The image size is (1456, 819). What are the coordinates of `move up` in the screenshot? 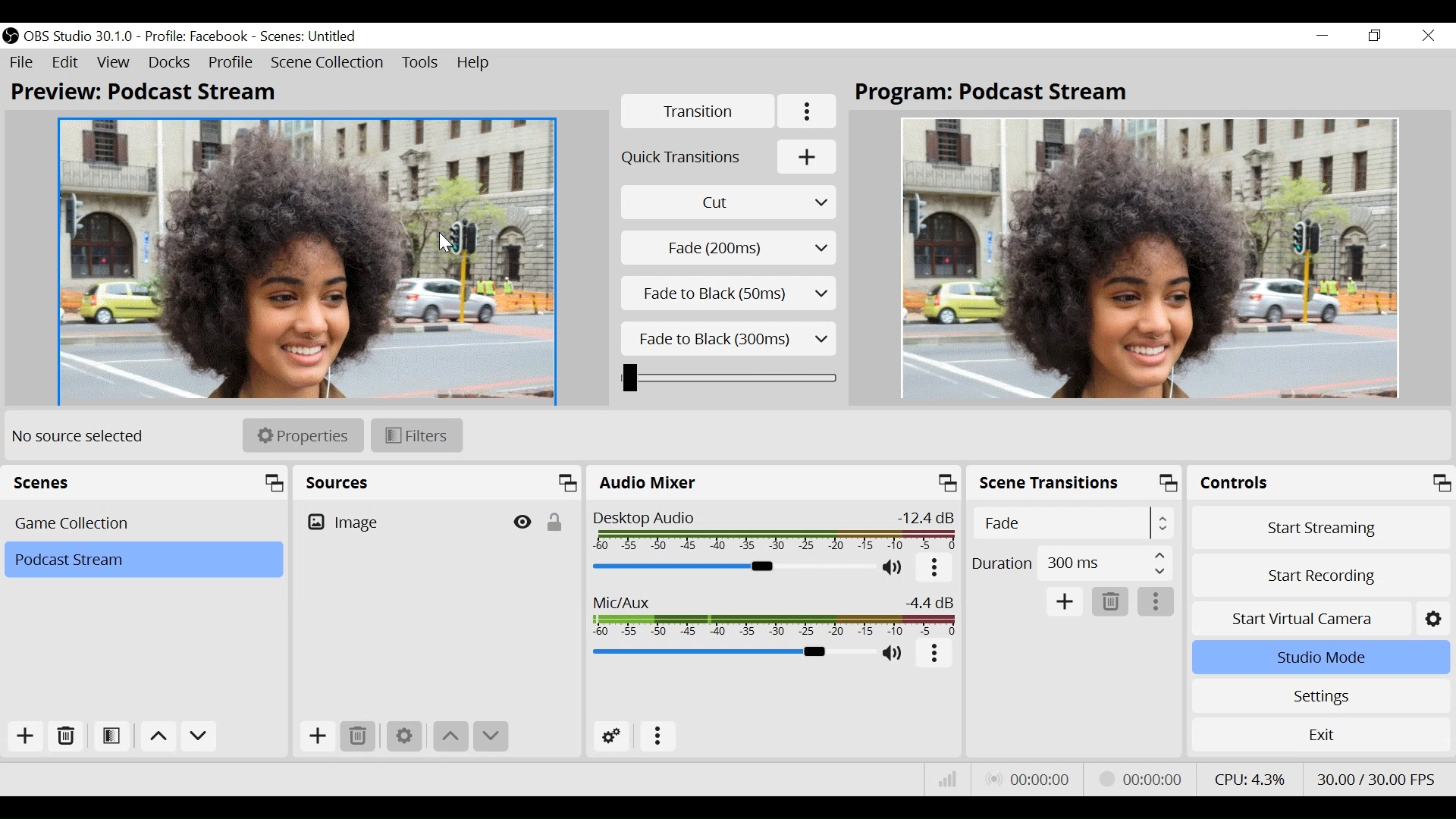 It's located at (158, 736).